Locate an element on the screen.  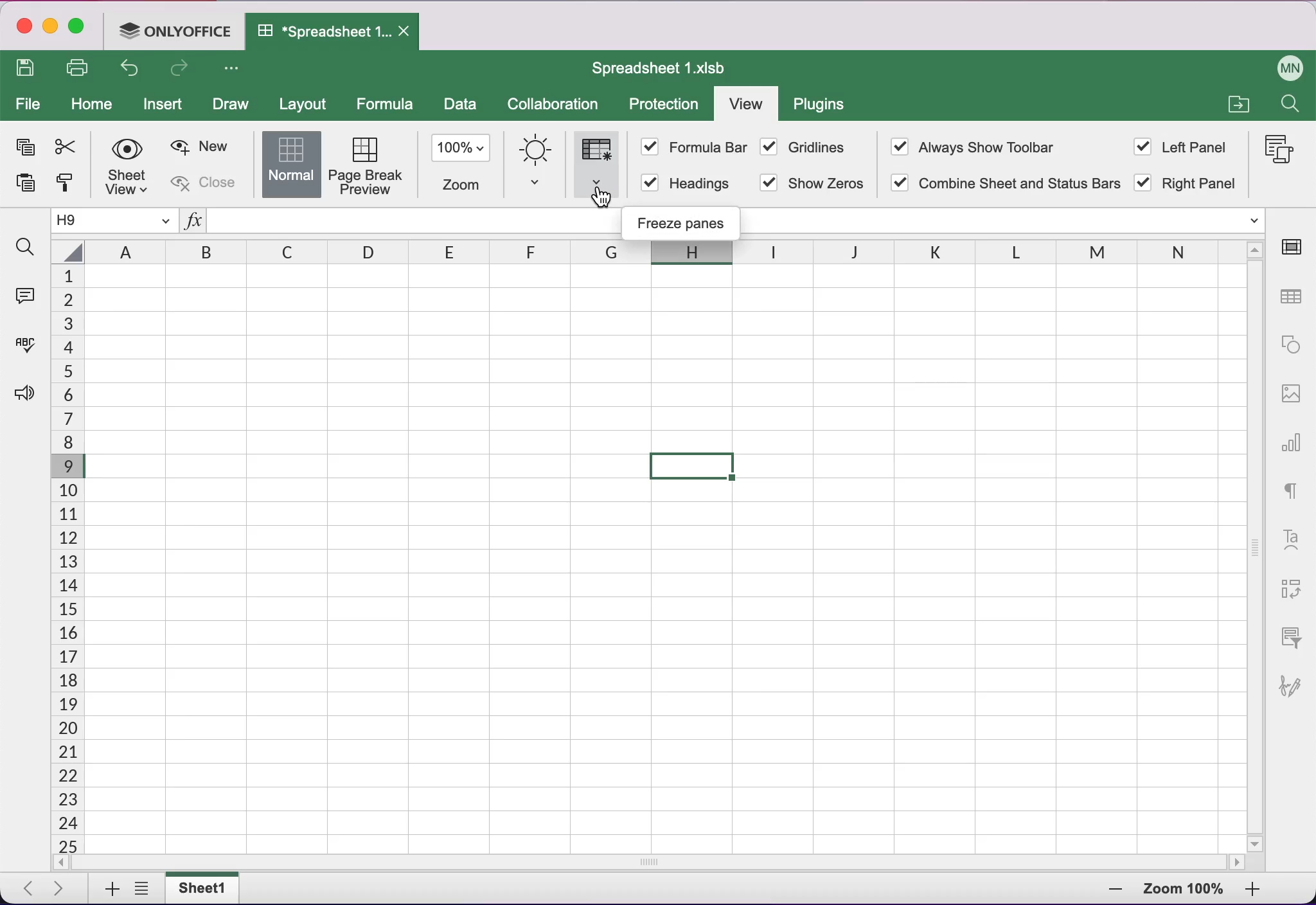
list all tabs is located at coordinates (142, 889).